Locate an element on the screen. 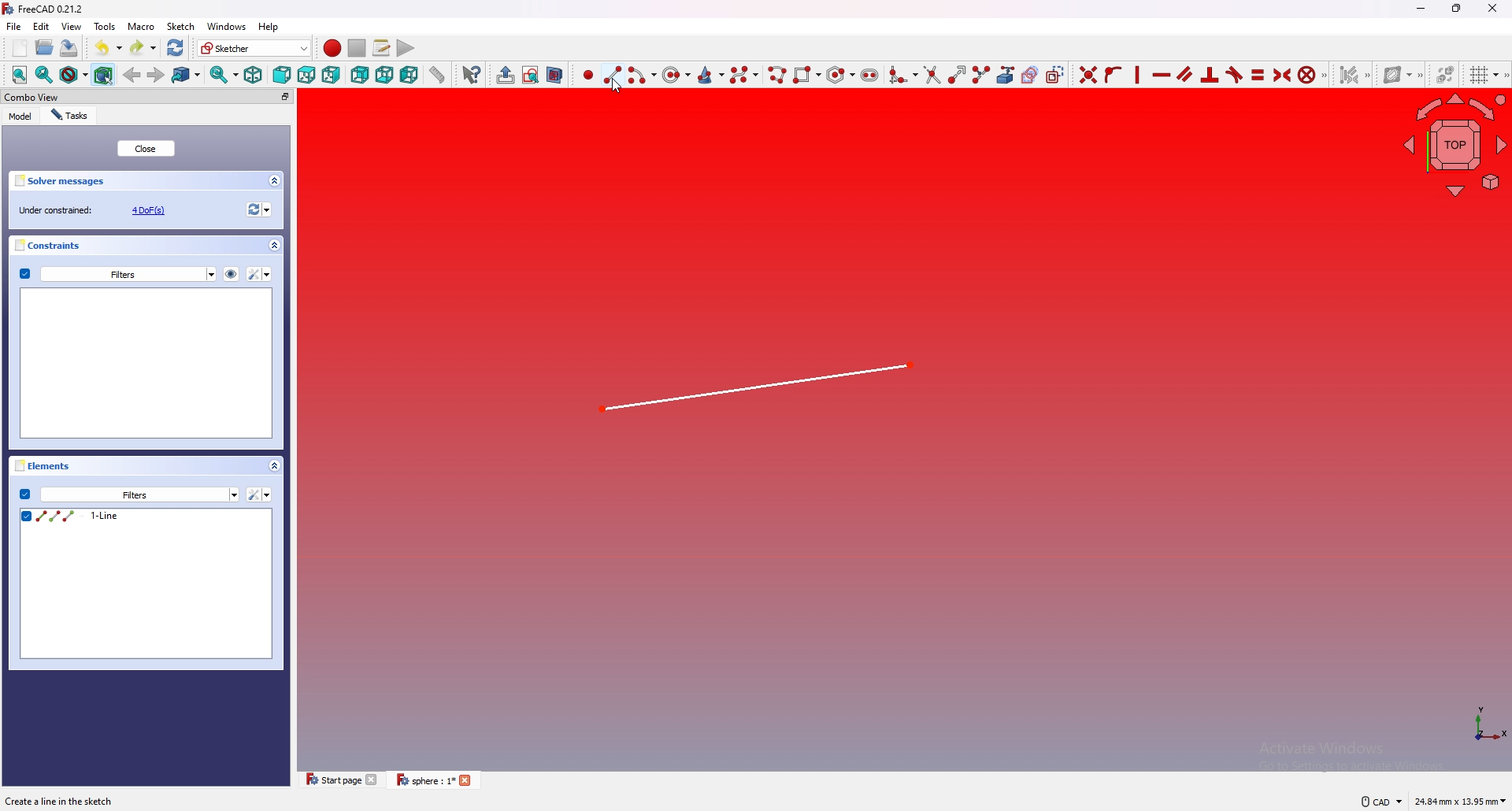  Back is located at coordinates (132, 73).